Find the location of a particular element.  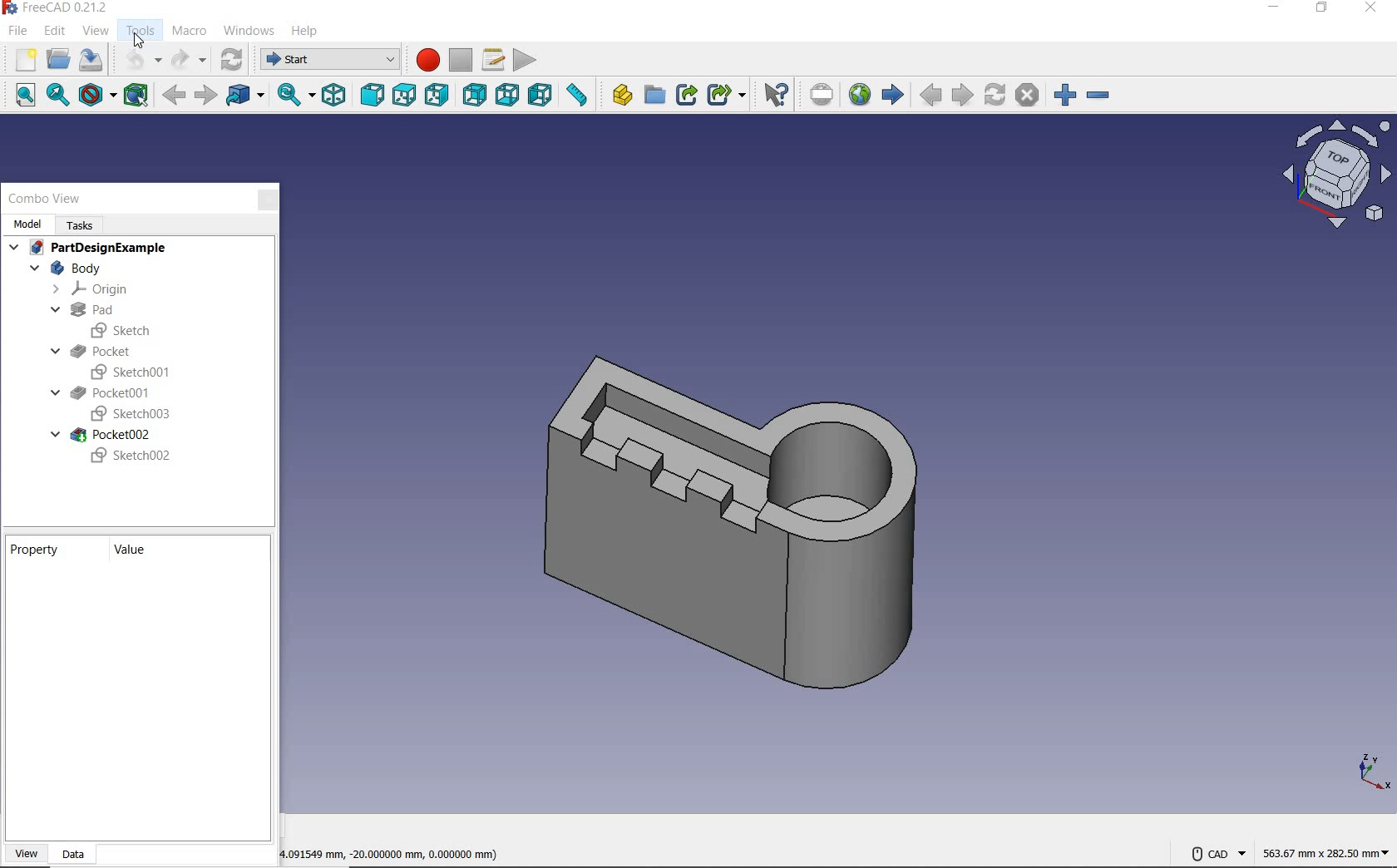

Fit all is located at coordinates (19, 96).